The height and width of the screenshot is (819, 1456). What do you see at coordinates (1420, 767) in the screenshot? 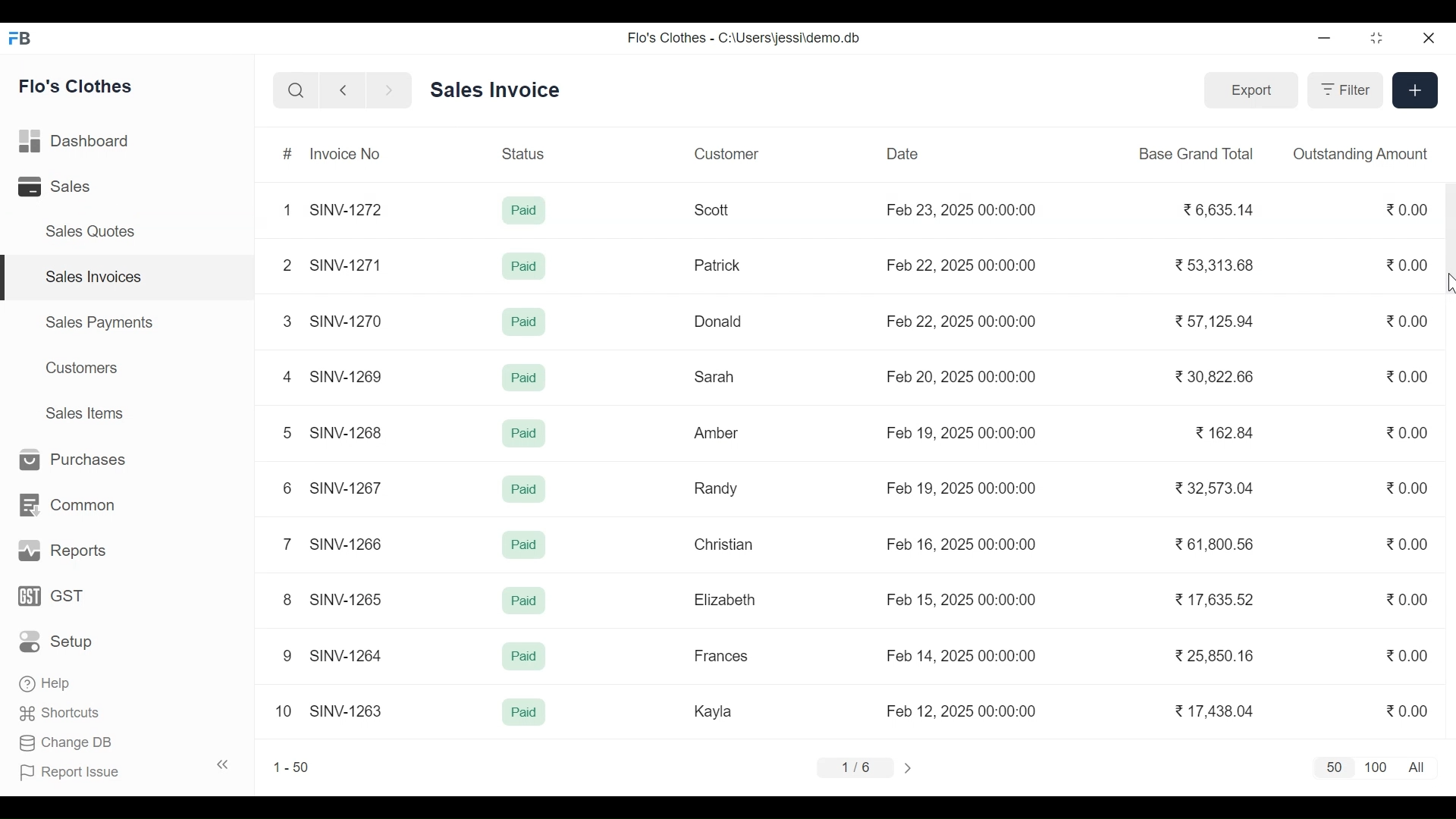
I see `All` at bounding box center [1420, 767].